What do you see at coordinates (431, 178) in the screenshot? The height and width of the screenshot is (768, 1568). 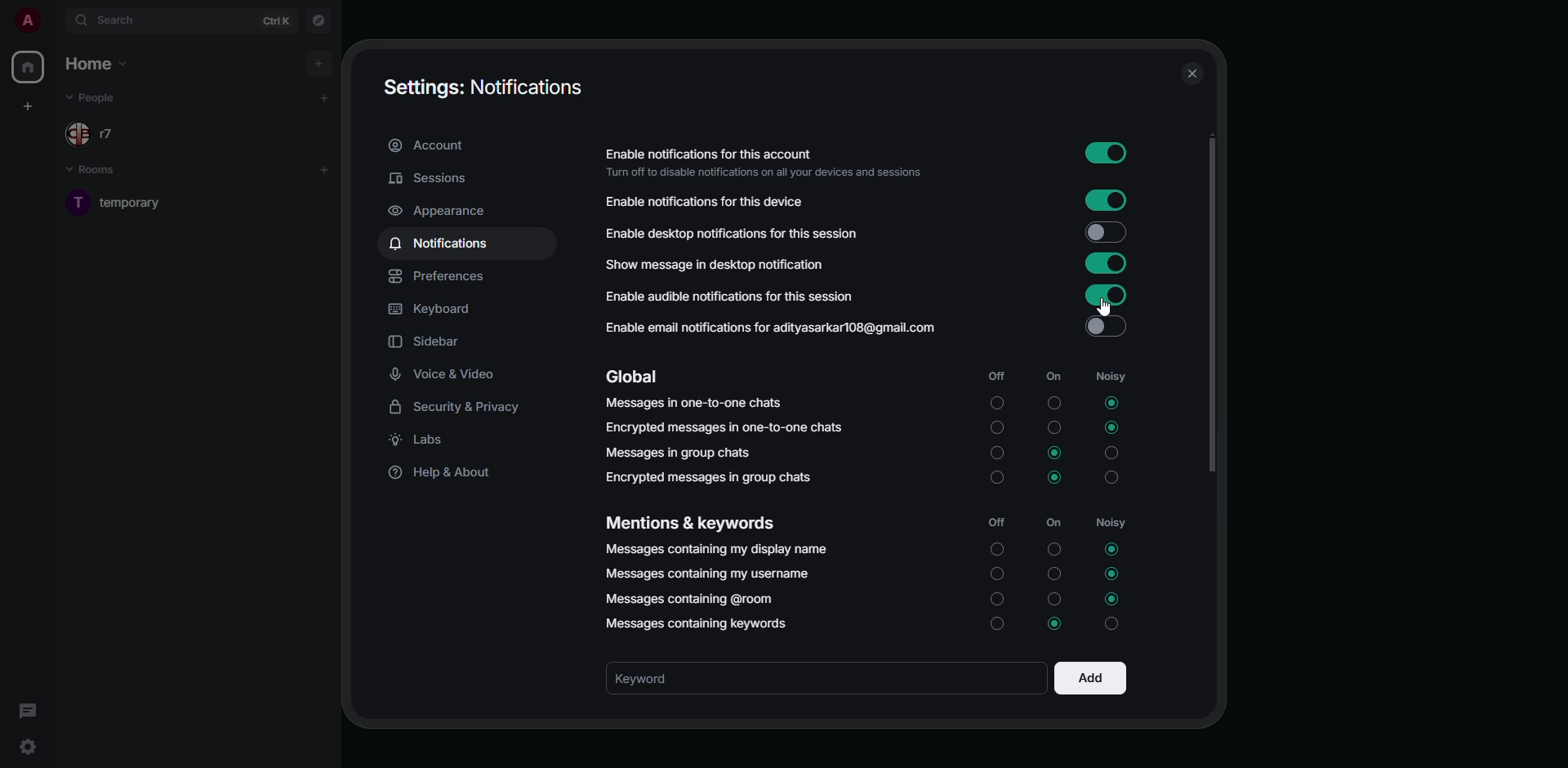 I see `sessions` at bounding box center [431, 178].